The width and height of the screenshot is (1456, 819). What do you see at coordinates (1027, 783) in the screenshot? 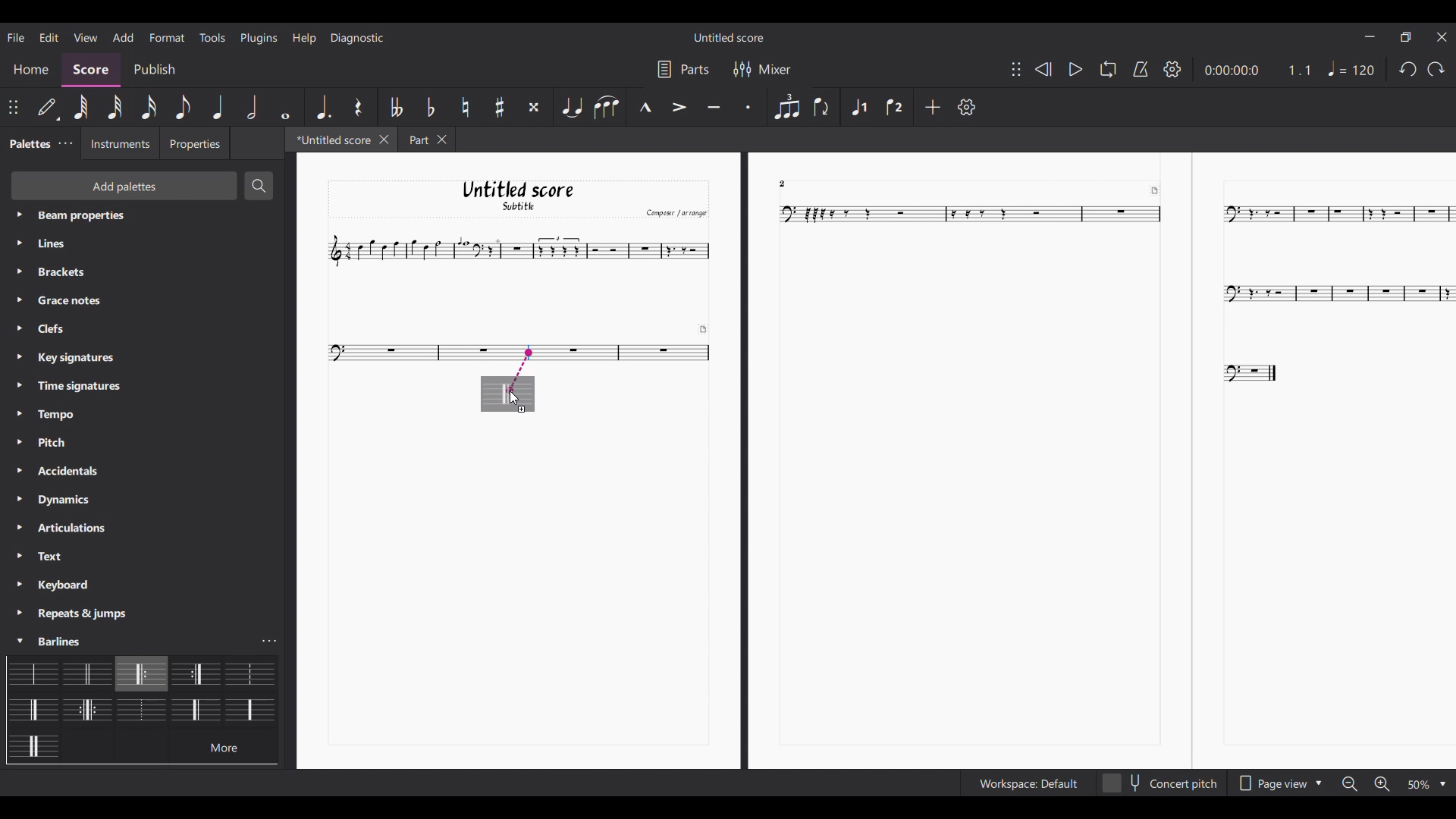
I see `Workspace settings` at bounding box center [1027, 783].